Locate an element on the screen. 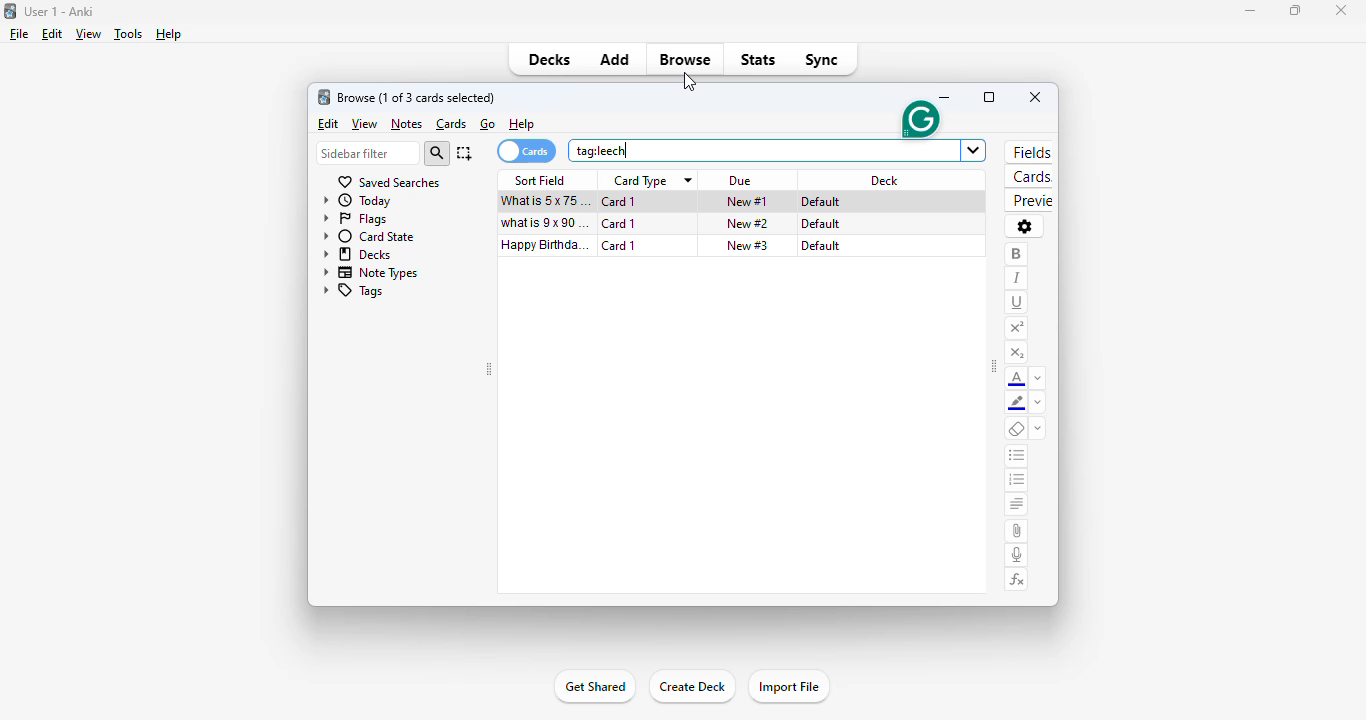 This screenshot has height=720, width=1366. select formatting to remove is located at coordinates (1039, 427).